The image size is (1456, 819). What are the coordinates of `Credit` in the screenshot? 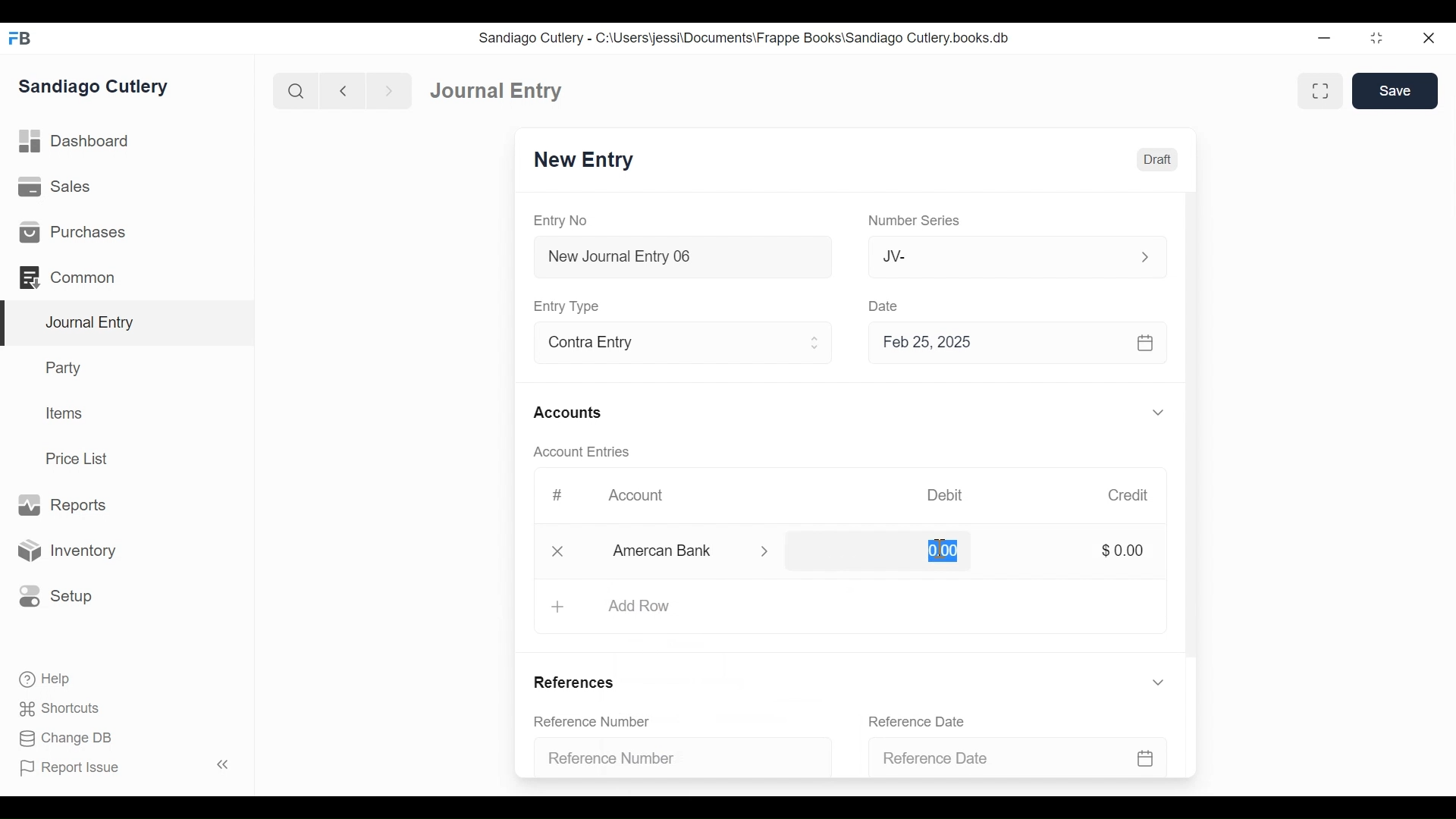 It's located at (1127, 495).